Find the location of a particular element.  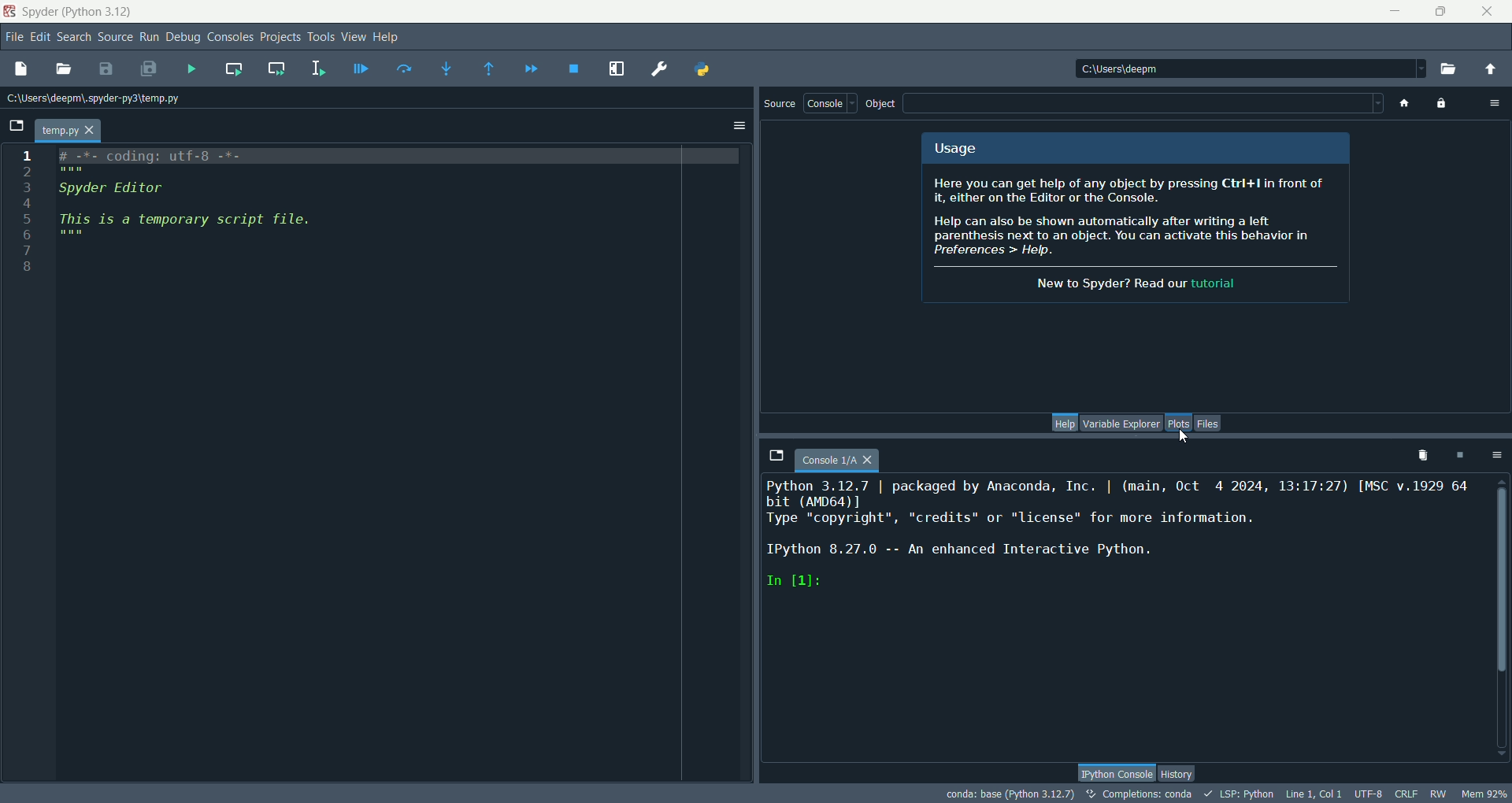

run file is located at coordinates (191, 68).